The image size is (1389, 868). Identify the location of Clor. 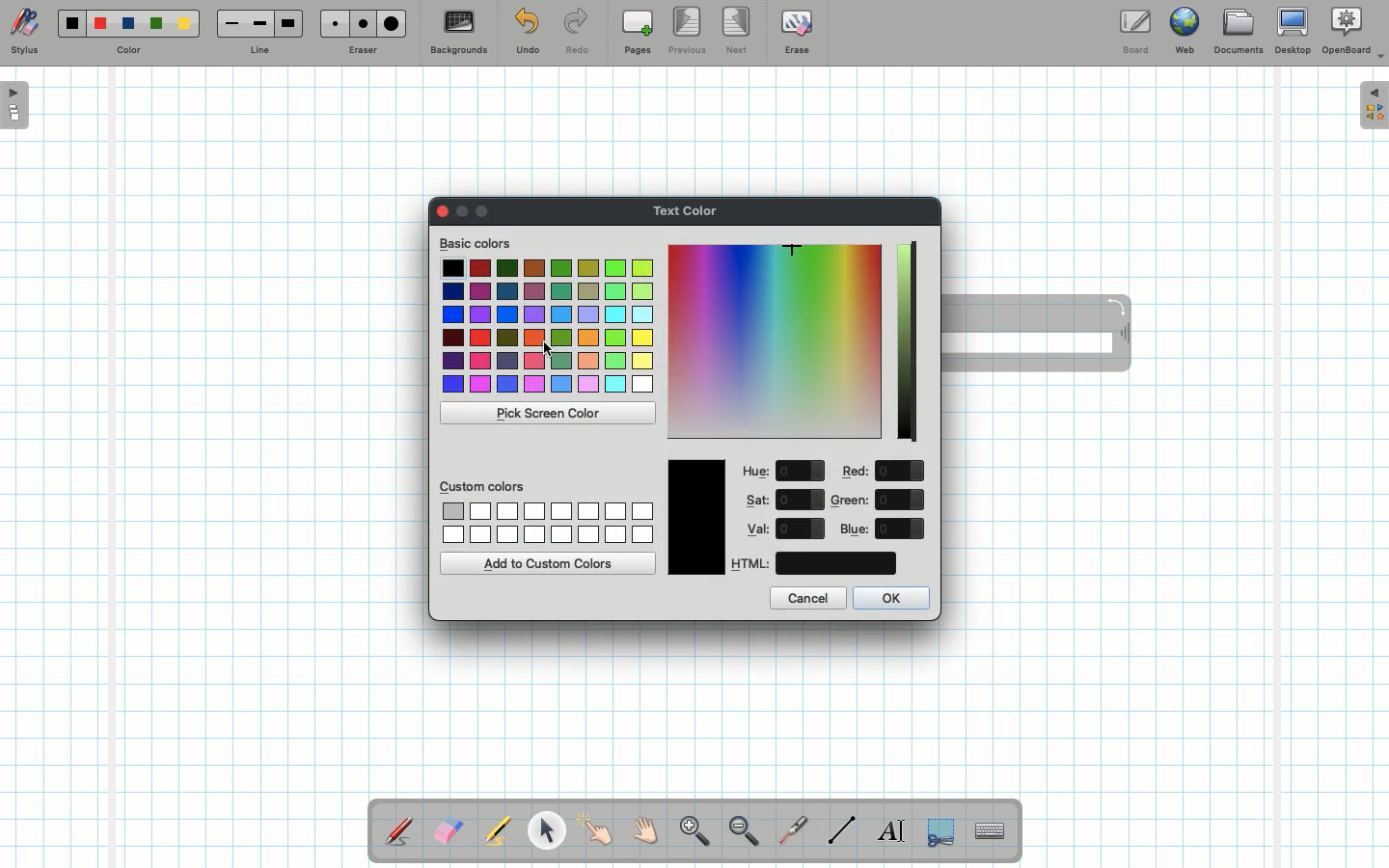
(437, 210).